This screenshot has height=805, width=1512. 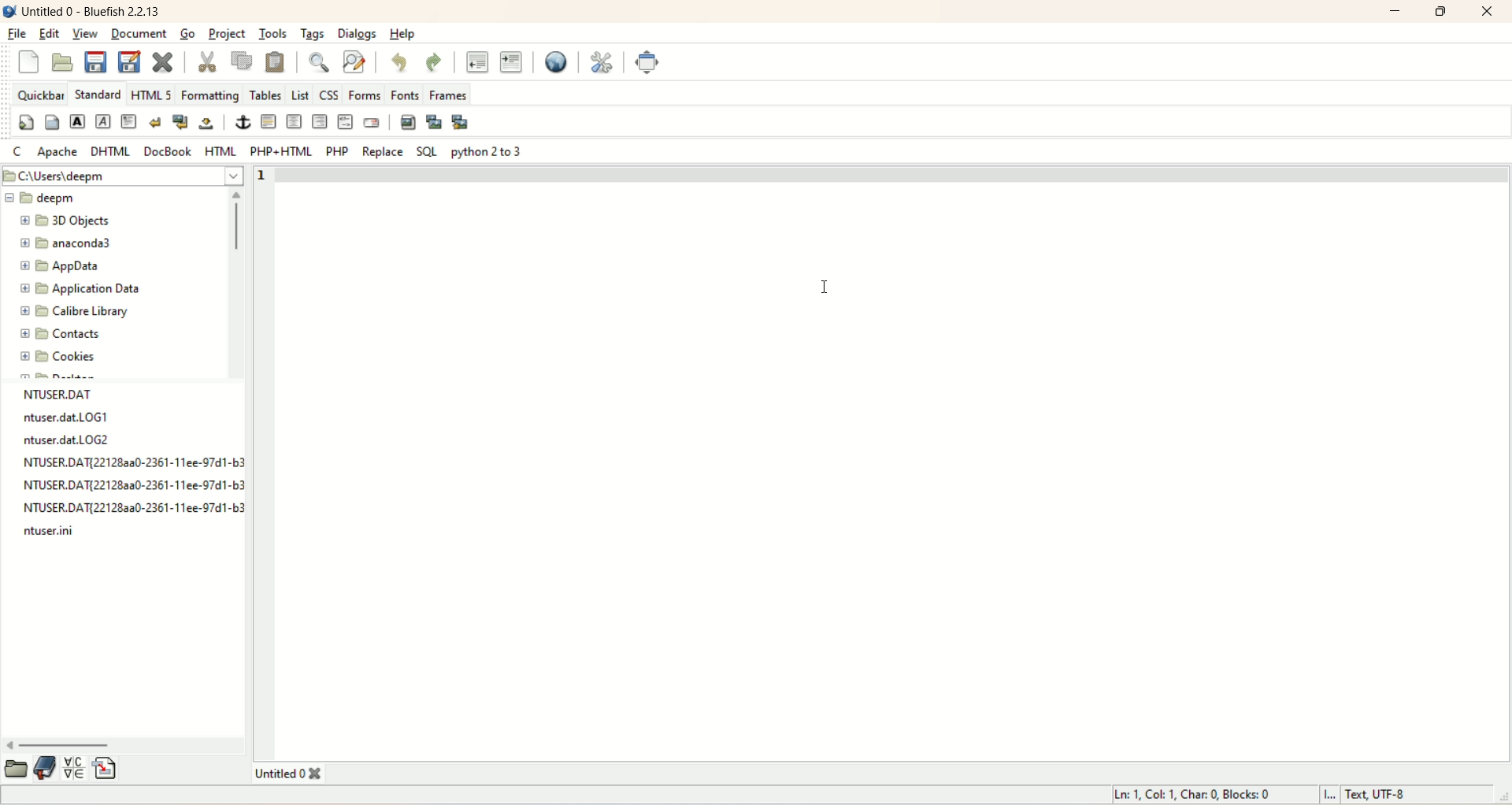 What do you see at coordinates (124, 176) in the screenshot?
I see `location` at bounding box center [124, 176].